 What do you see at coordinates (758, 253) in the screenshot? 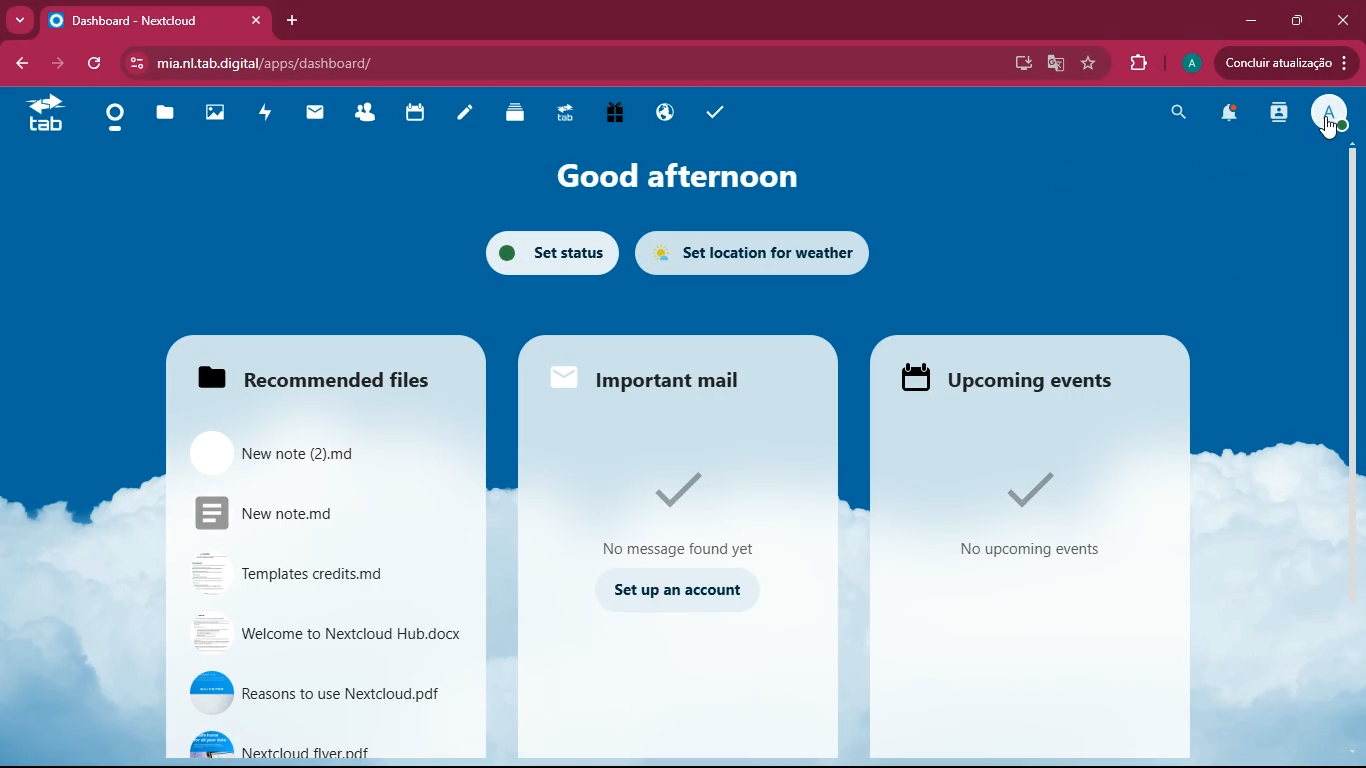
I see `set location` at bounding box center [758, 253].